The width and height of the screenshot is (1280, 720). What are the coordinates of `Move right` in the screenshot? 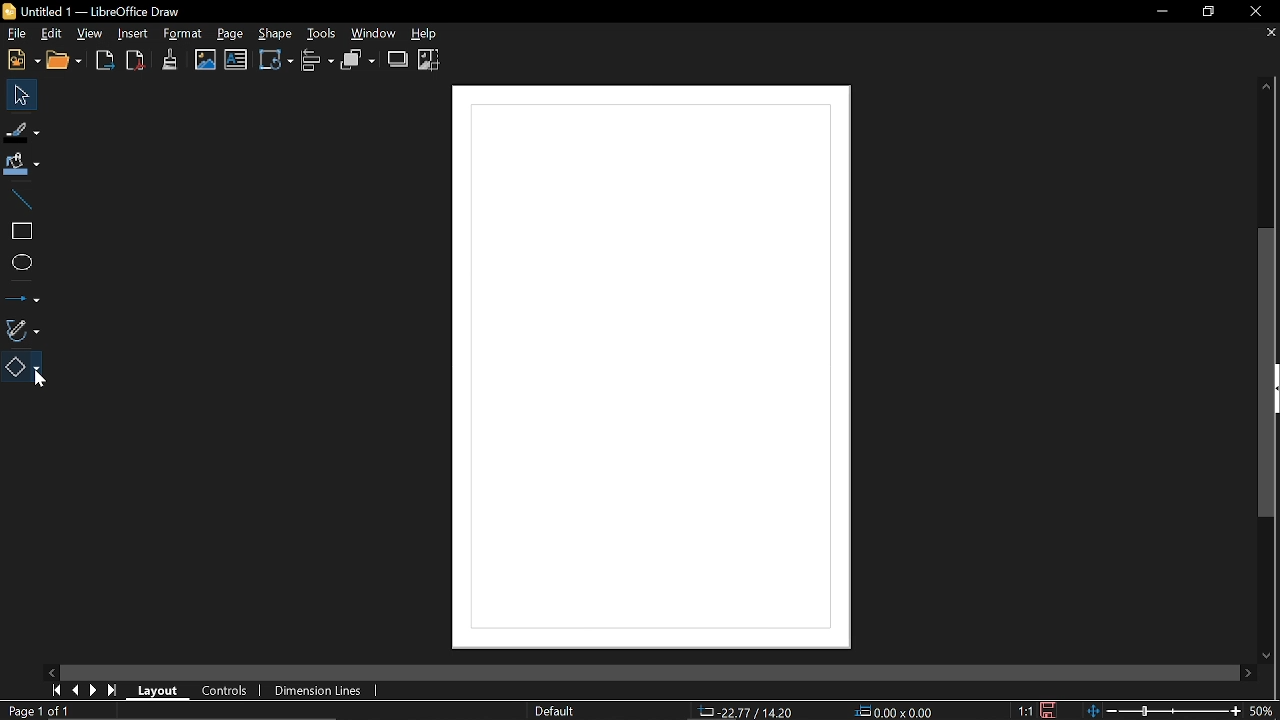 It's located at (1248, 673).